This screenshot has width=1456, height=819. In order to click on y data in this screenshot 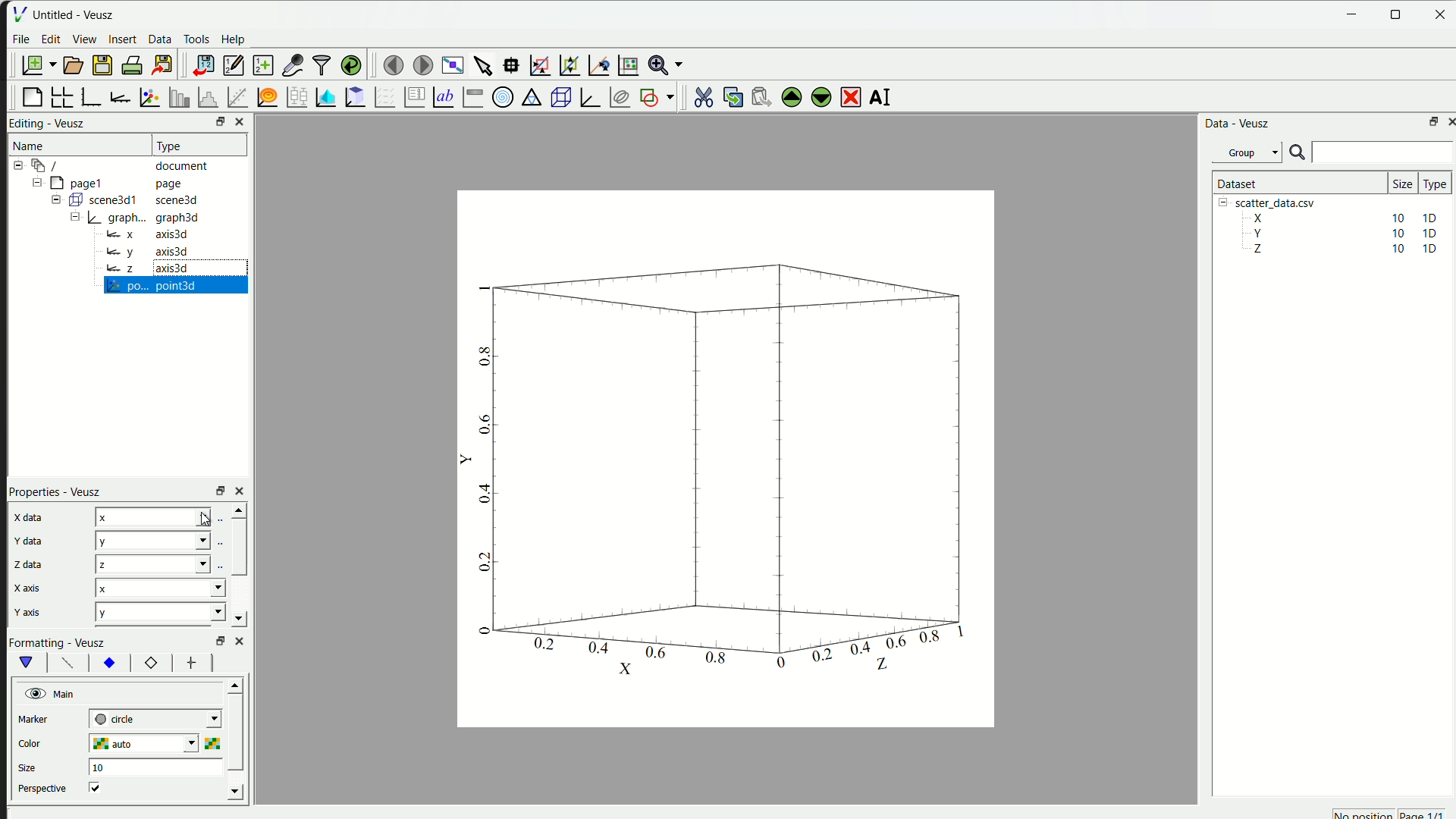, I will do `click(21, 539)`.